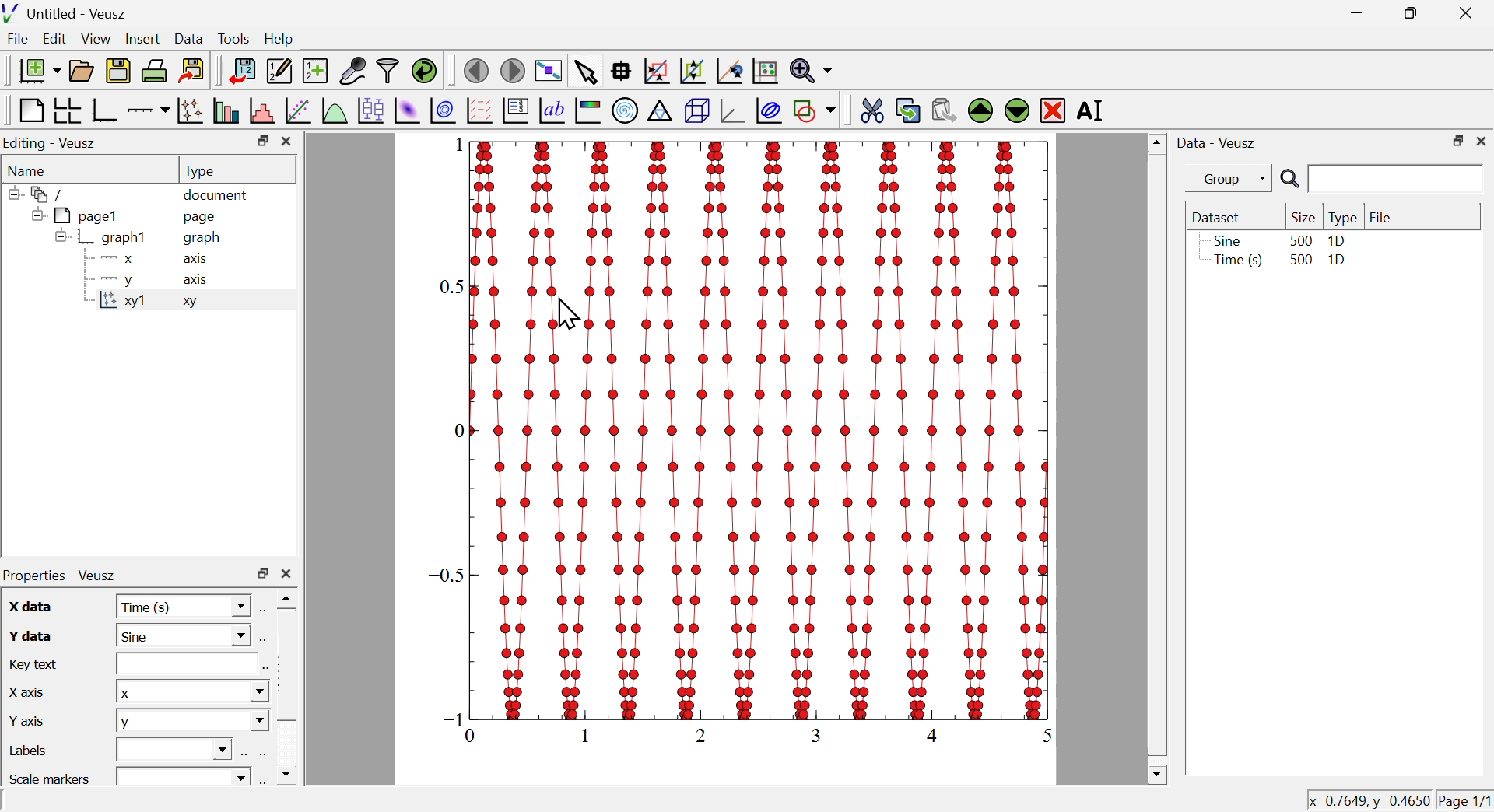 The height and width of the screenshot is (812, 1494). I want to click on blank page, so click(30, 110).